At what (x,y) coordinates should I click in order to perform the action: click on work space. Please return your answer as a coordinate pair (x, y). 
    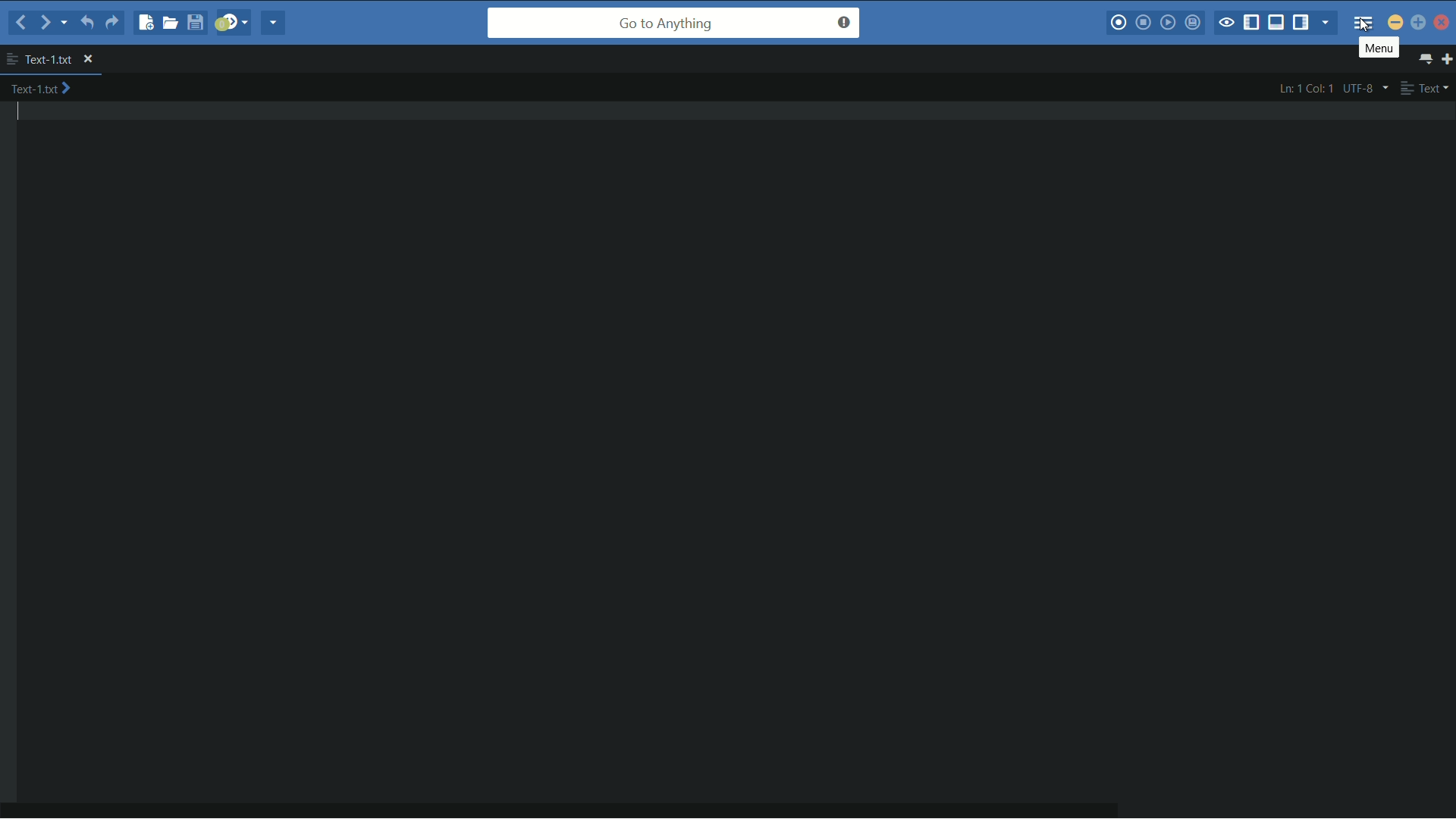
    Looking at the image, I should click on (739, 438).